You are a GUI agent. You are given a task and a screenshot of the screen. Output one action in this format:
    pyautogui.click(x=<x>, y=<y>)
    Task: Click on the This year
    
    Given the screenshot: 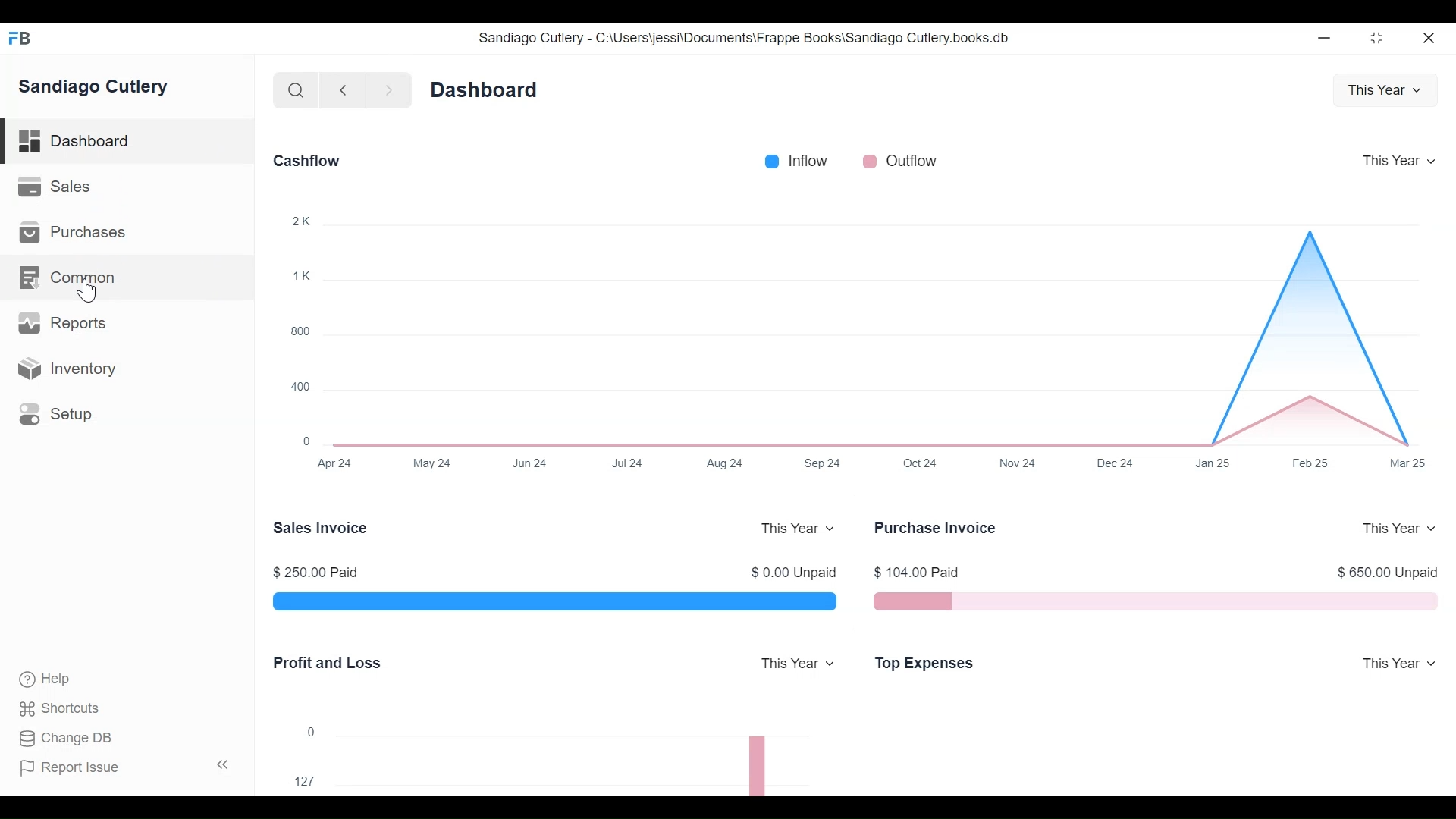 What is the action you would take?
    pyautogui.click(x=1399, y=158)
    